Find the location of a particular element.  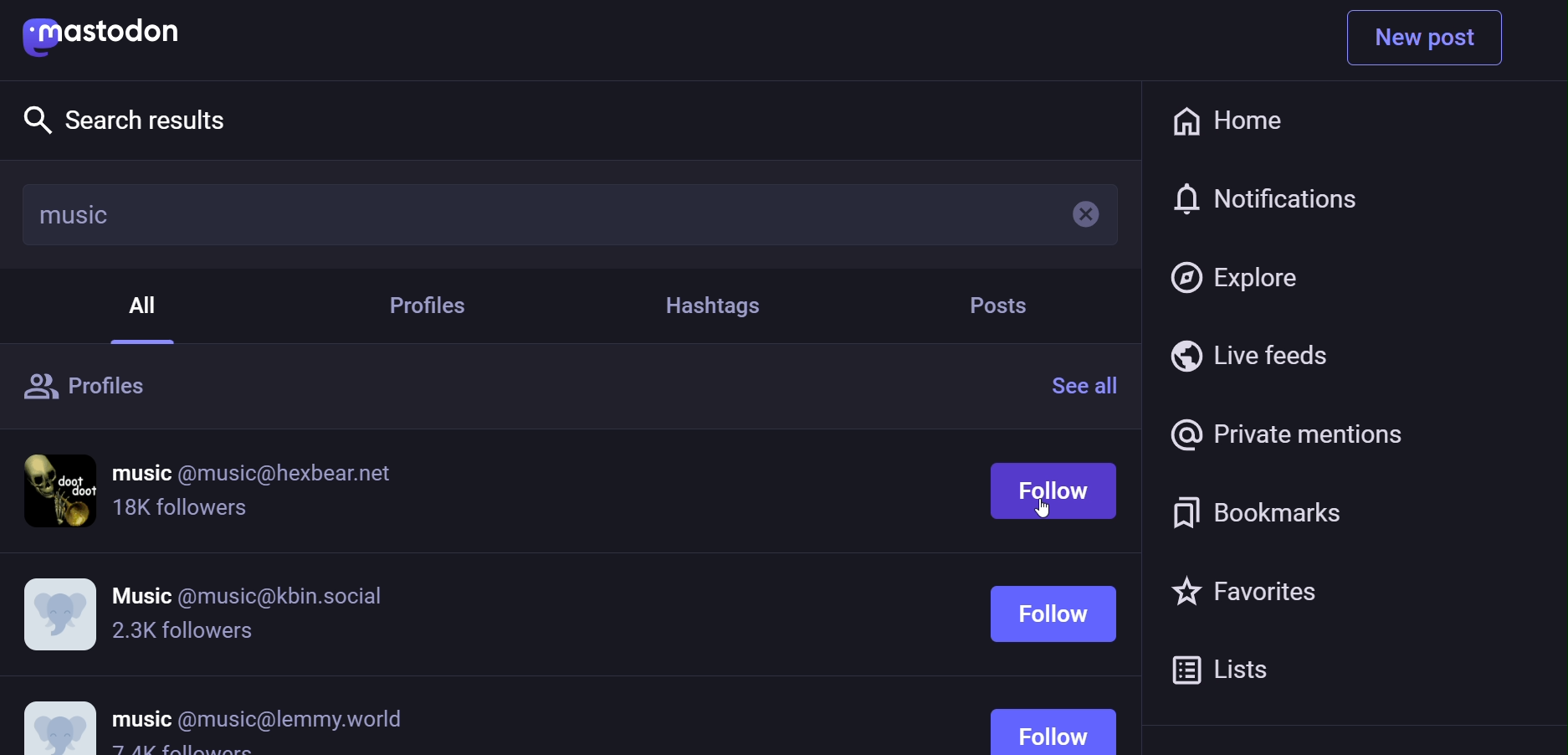

list is located at coordinates (1224, 666).